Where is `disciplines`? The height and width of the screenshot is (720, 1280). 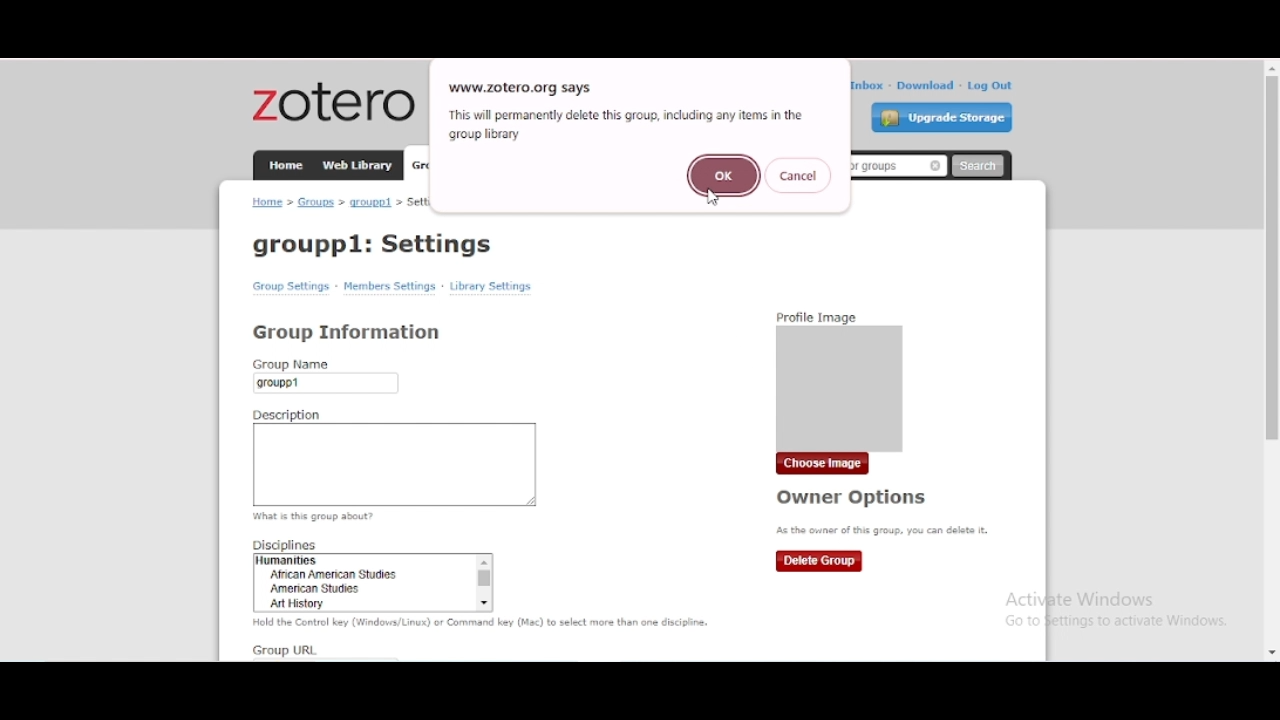 disciplines is located at coordinates (376, 577).